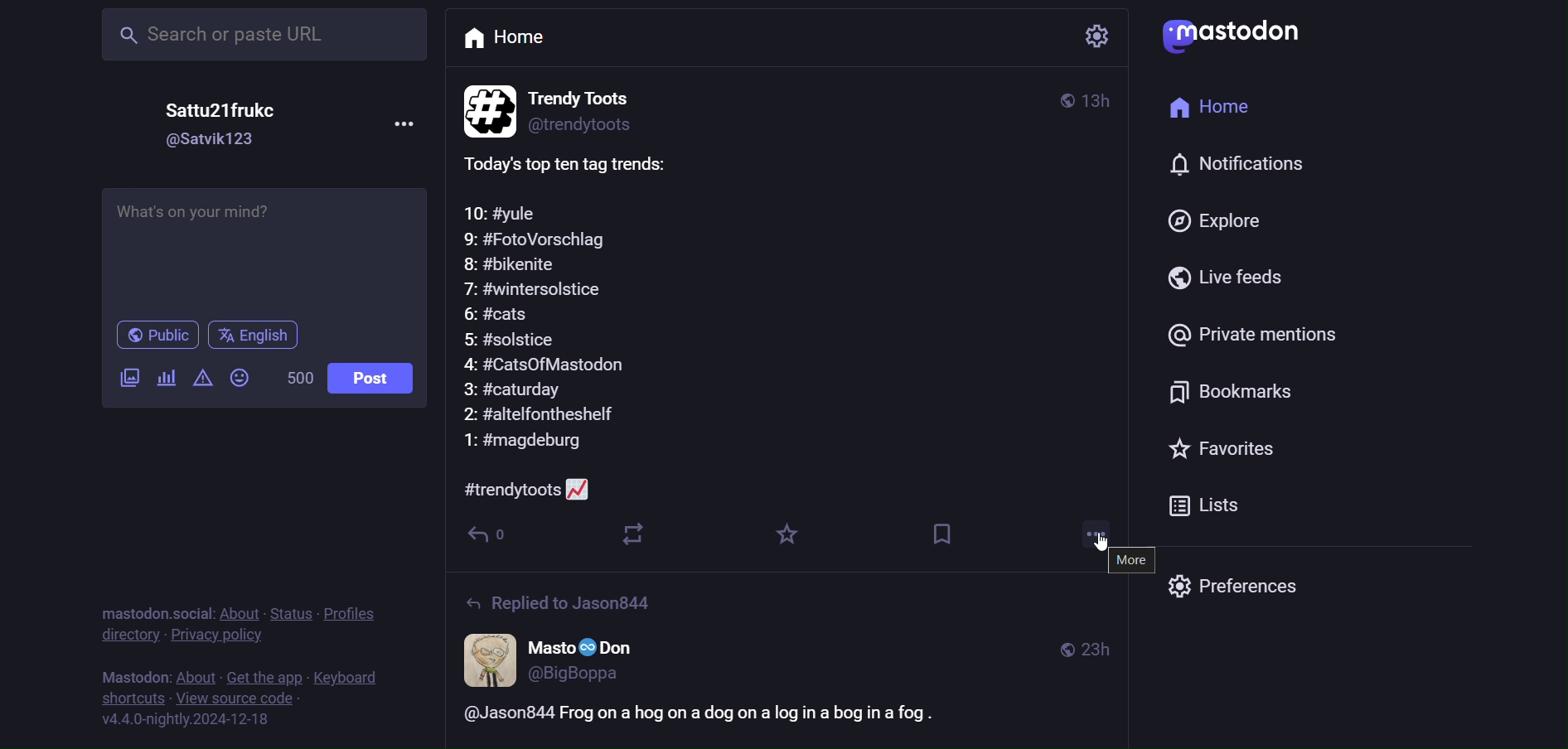 The image size is (1568, 749). What do you see at coordinates (948, 537) in the screenshot?
I see `bookmark` at bounding box center [948, 537].